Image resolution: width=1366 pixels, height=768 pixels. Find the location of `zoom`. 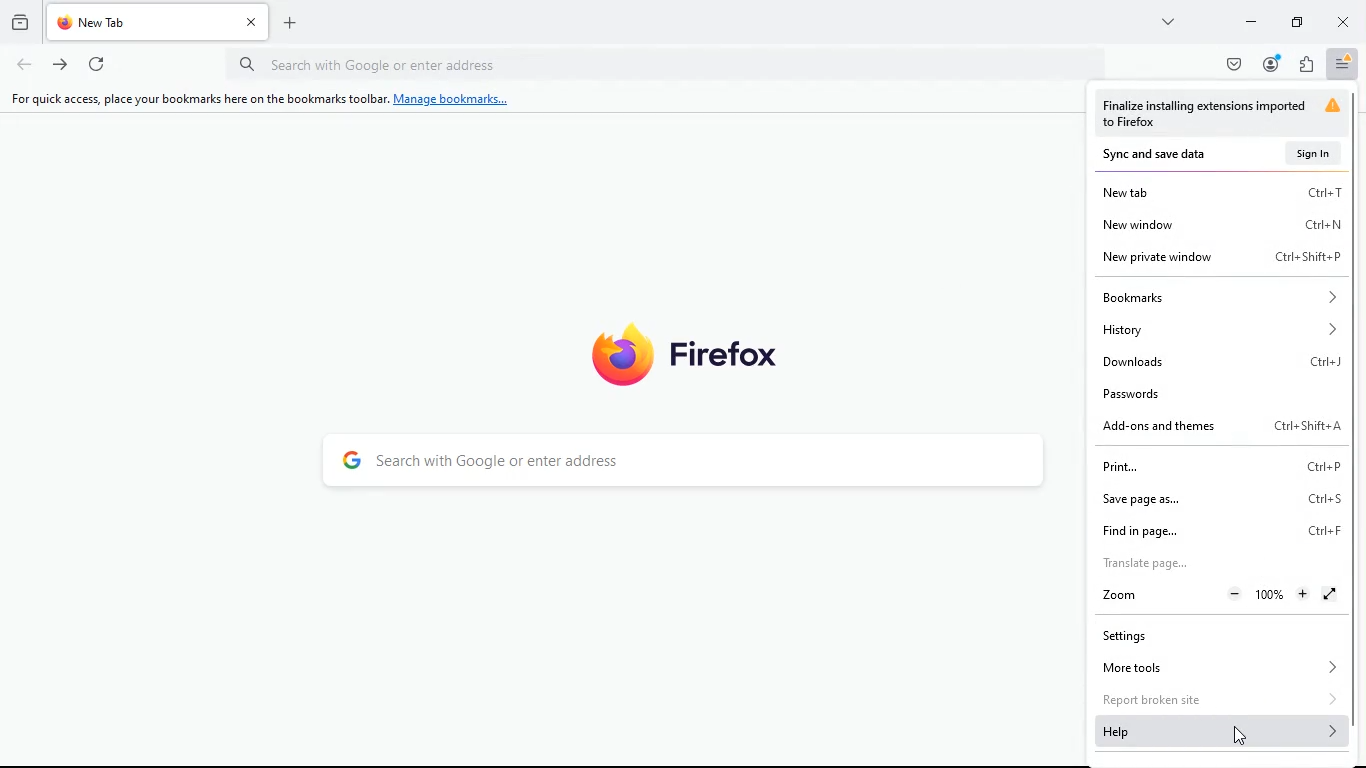

zoom is located at coordinates (1121, 595).